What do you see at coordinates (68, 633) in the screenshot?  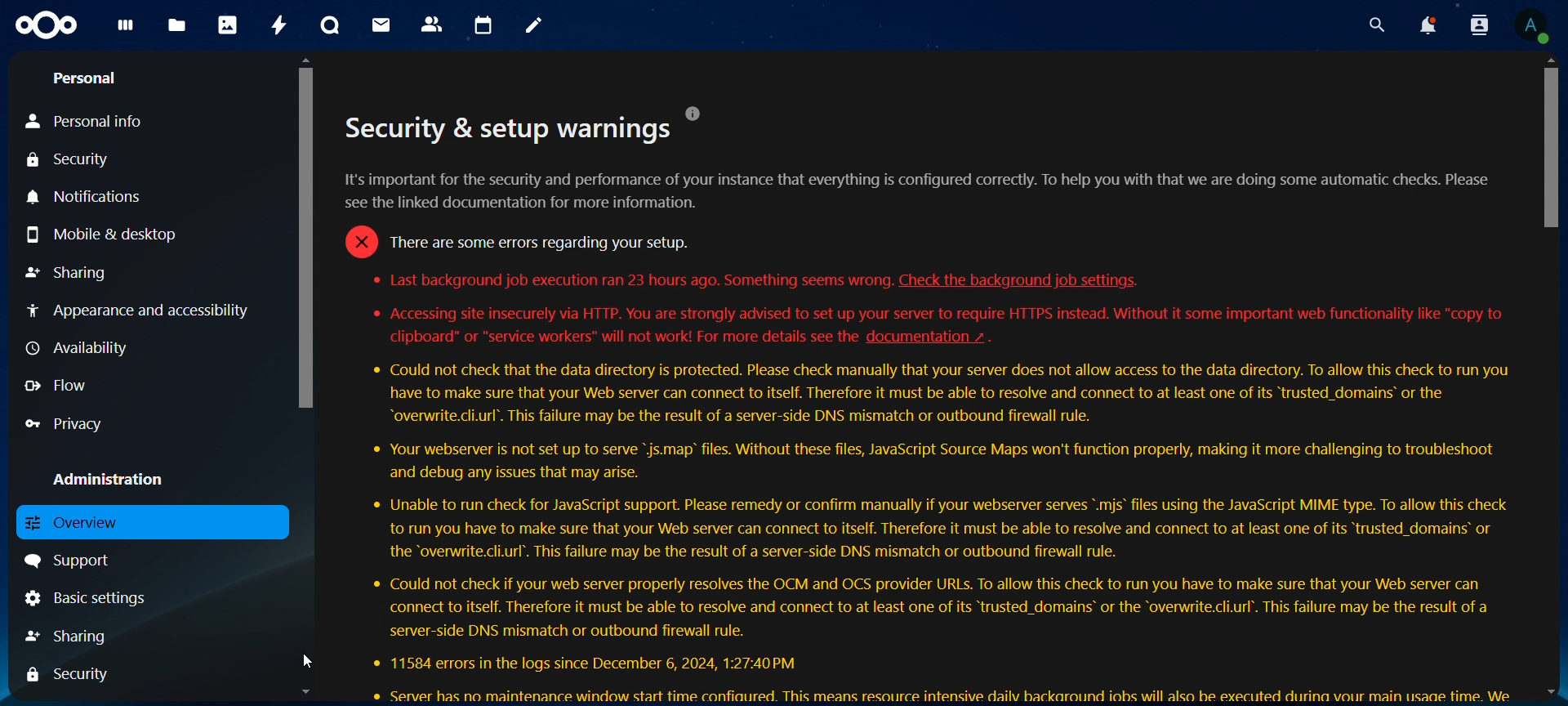 I see `sharing` at bounding box center [68, 633].